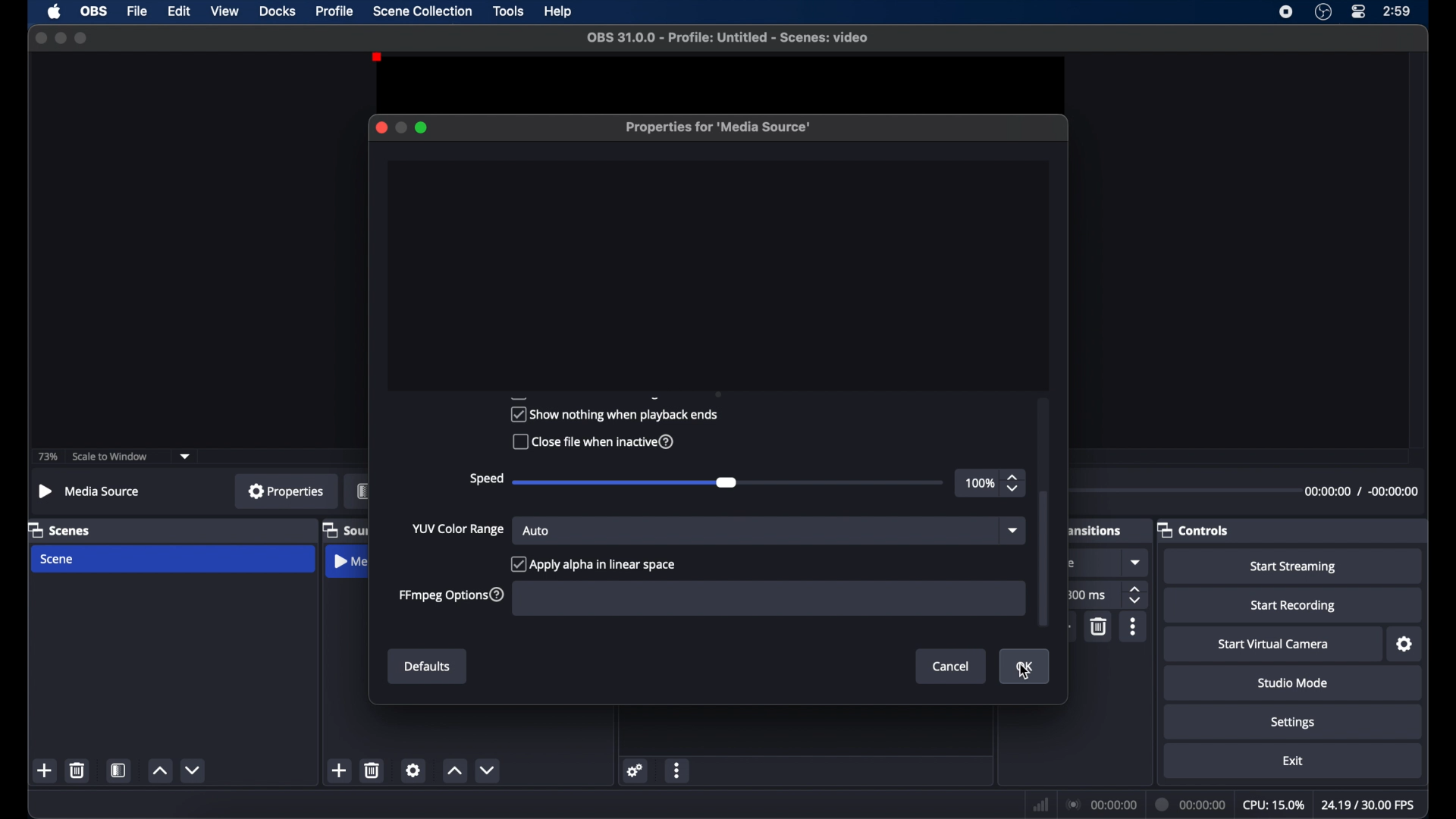 Image resolution: width=1456 pixels, height=819 pixels. Describe the element at coordinates (344, 529) in the screenshot. I see `obscure label` at that location.